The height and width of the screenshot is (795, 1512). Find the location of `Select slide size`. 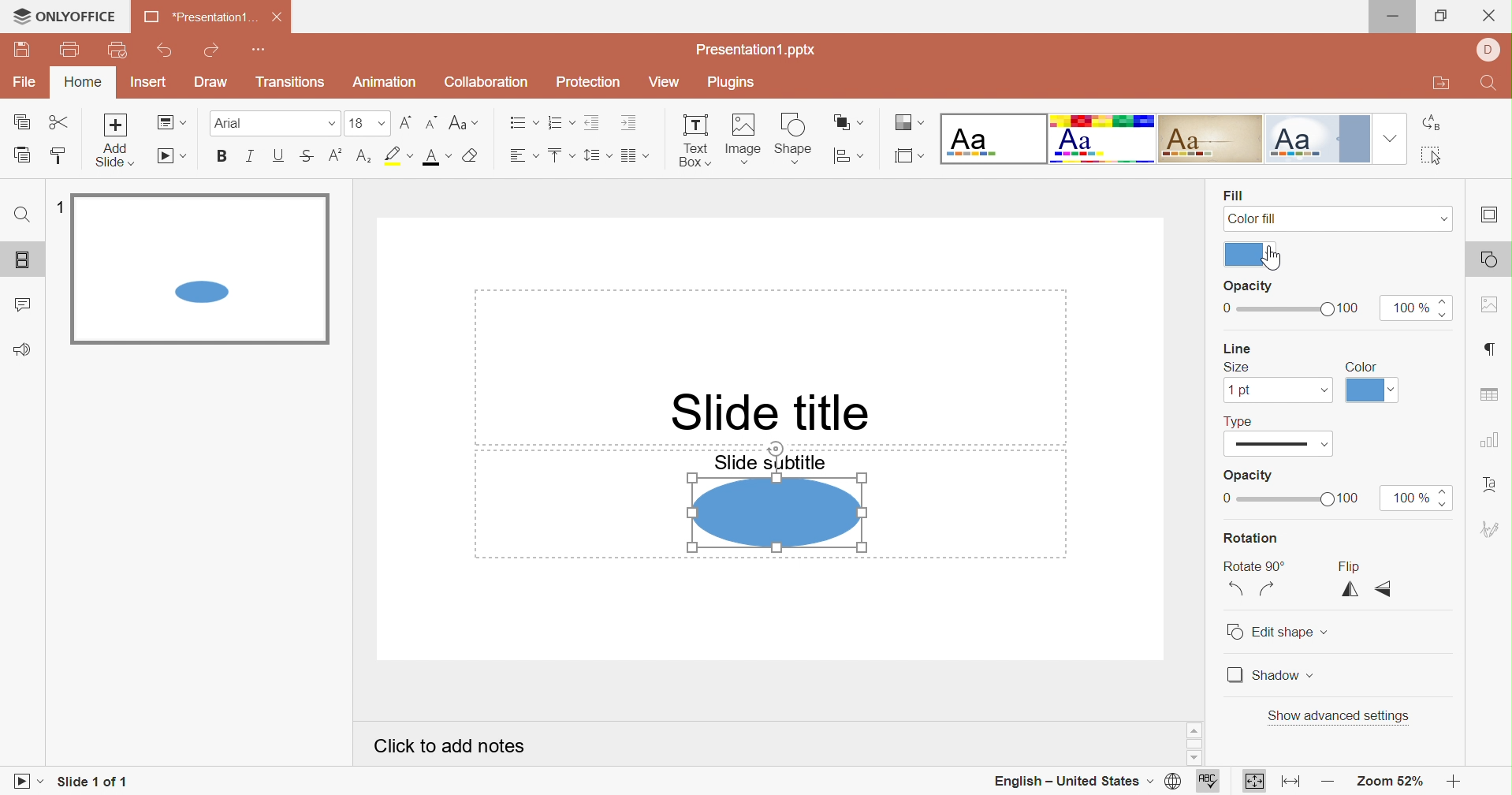

Select slide size is located at coordinates (909, 156).